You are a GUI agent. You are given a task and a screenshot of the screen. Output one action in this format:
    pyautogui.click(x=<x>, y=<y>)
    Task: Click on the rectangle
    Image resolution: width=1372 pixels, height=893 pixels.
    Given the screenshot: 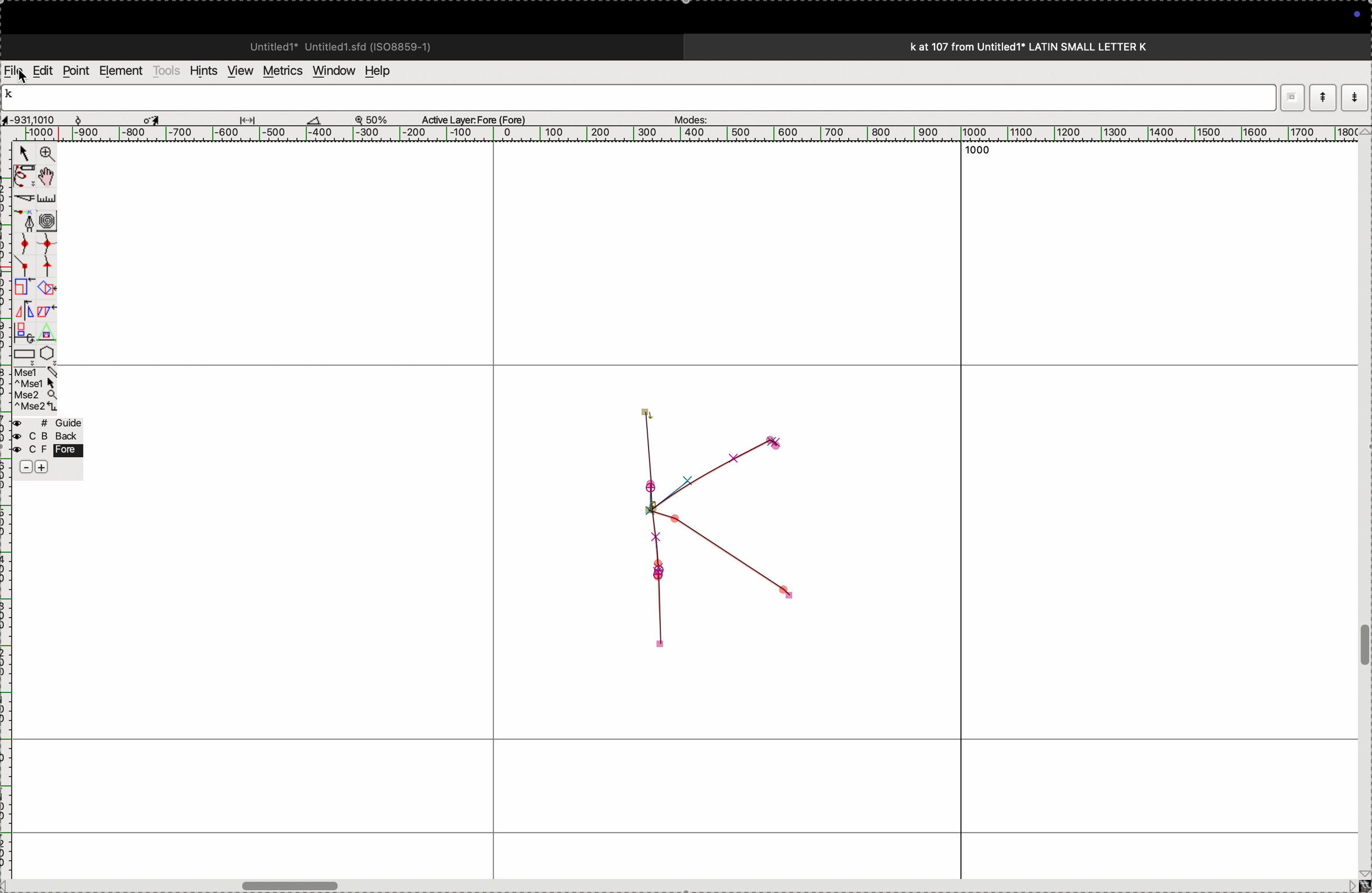 What is the action you would take?
    pyautogui.click(x=21, y=352)
    